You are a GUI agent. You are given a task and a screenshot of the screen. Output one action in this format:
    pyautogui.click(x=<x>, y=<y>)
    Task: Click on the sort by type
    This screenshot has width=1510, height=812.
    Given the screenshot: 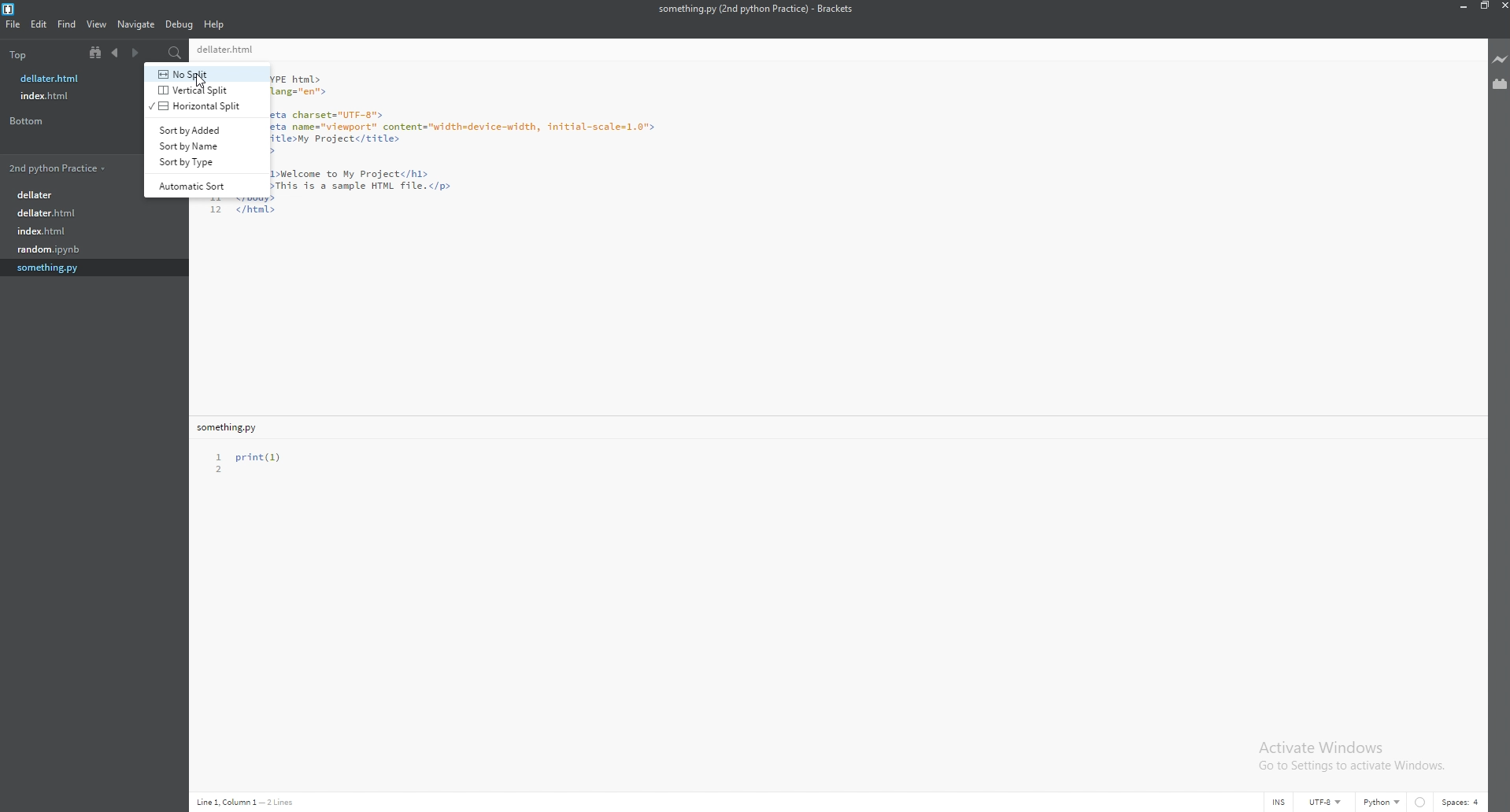 What is the action you would take?
    pyautogui.click(x=206, y=162)
    